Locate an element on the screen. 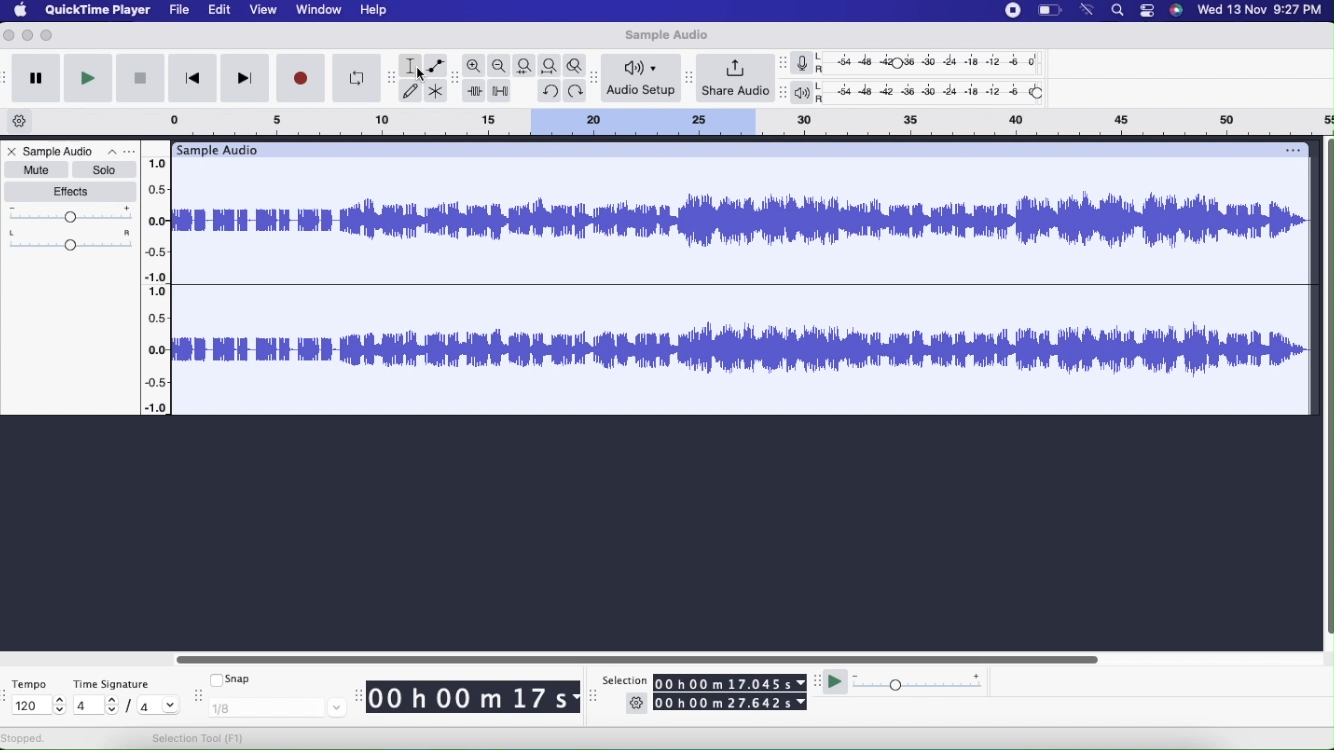 The image size is (1334, 750). Draw tool is located at coordinates (410, 90).